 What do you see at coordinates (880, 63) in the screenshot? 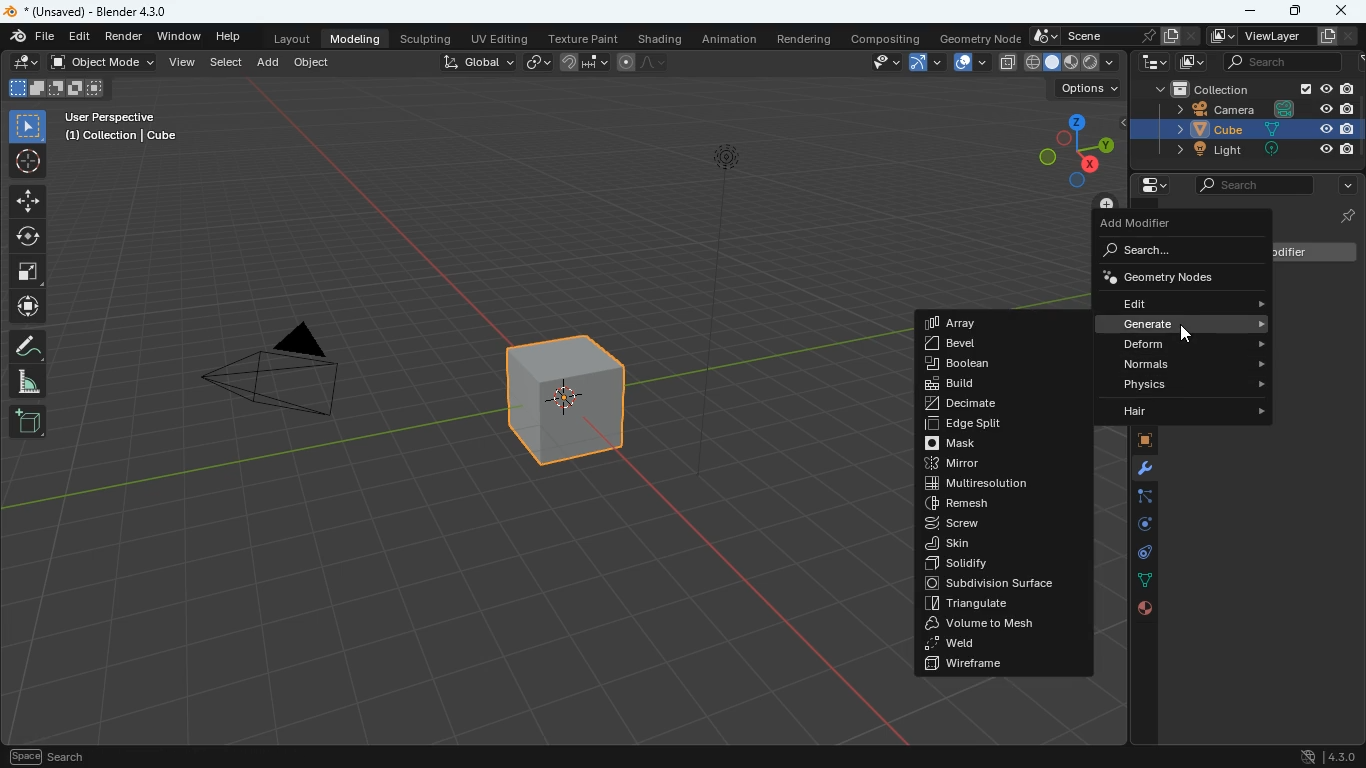
I see `view` at bounding box center [880, 63].